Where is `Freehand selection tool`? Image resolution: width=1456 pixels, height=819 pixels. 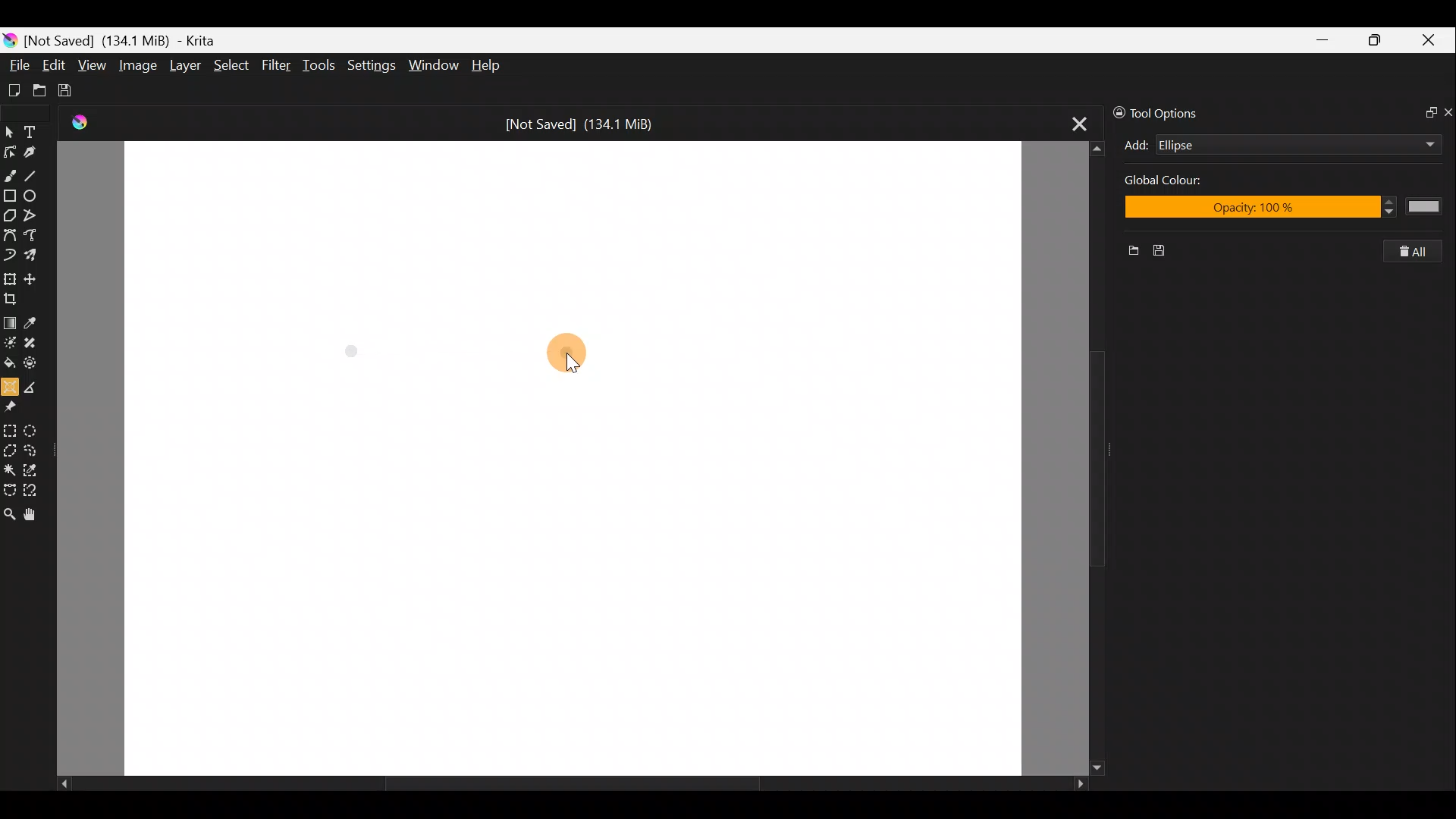 Freehand selection tool is located at coordinates (36, 449).